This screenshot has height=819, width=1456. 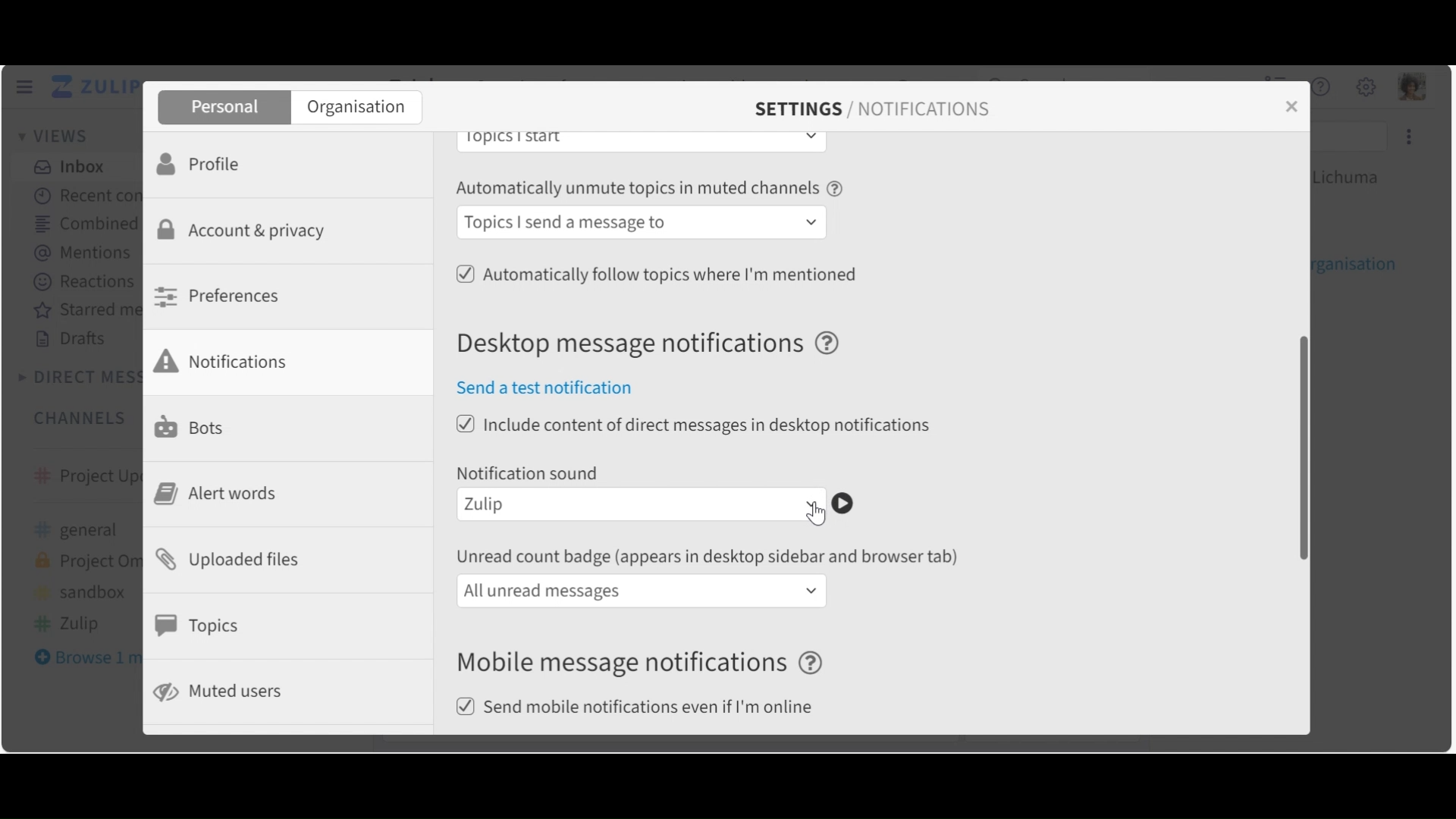 What do you see at coordinates (843, 504) in the screenshot?
I see `Play notification sound` at bounding box center [843, 504].